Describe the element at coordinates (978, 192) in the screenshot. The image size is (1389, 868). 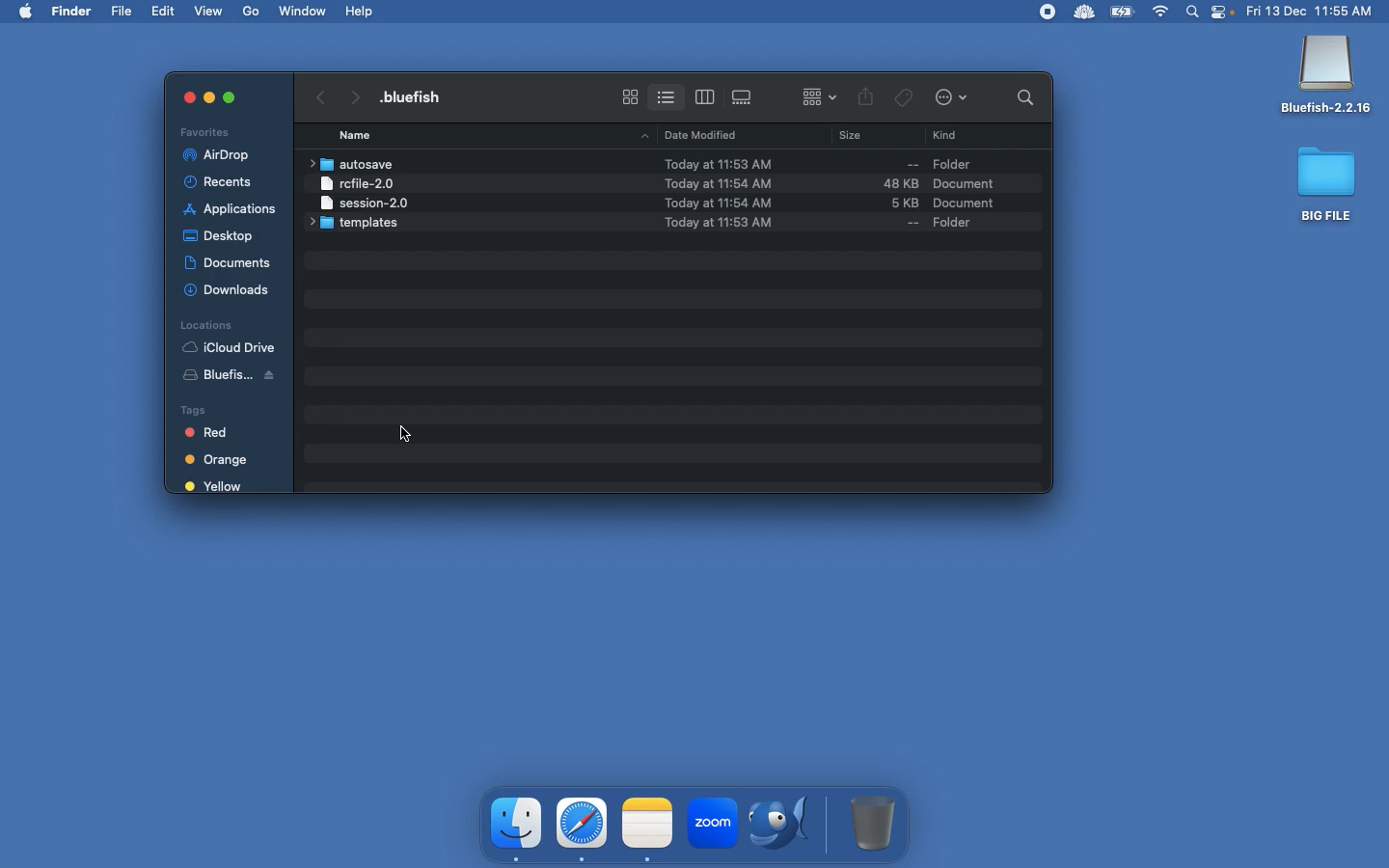
I see `kind: folder or document` at that location.